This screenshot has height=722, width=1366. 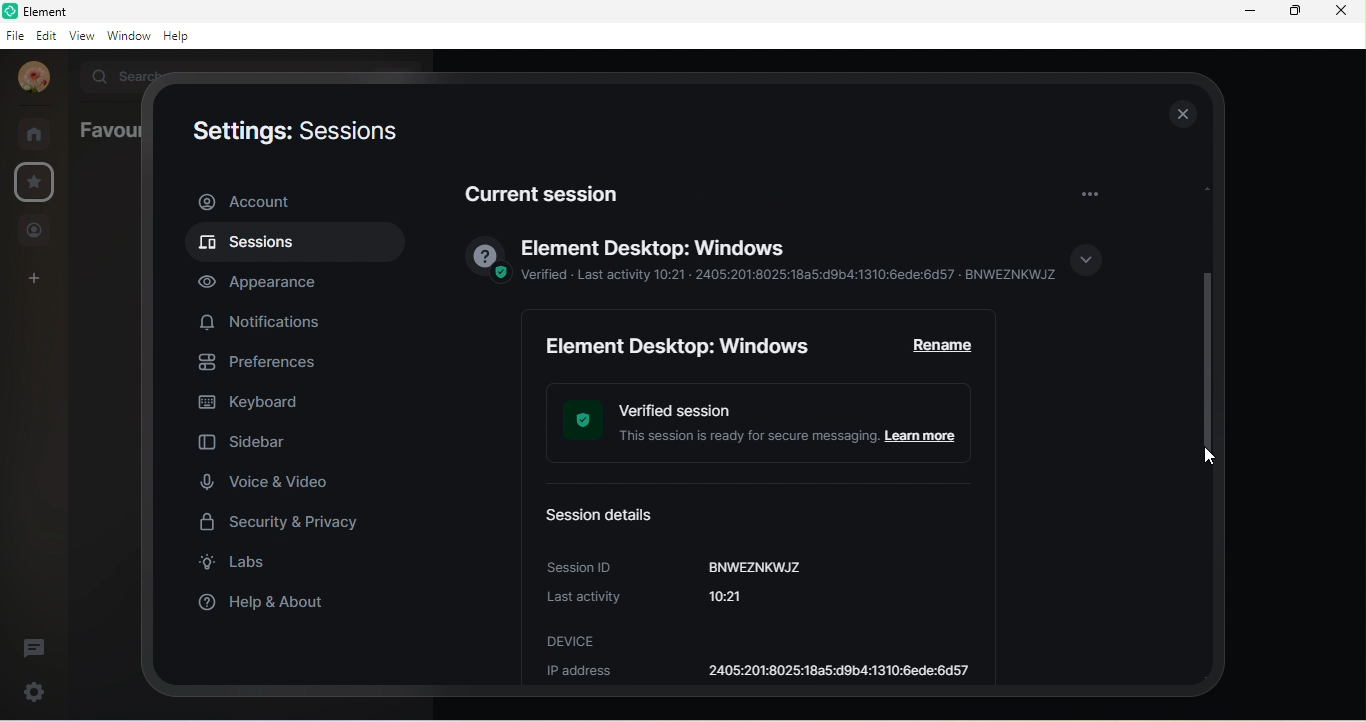 What do you see at coordinates (248, 445) in the screenshot?
I see `sidebar` at bounding box center [248, 445].